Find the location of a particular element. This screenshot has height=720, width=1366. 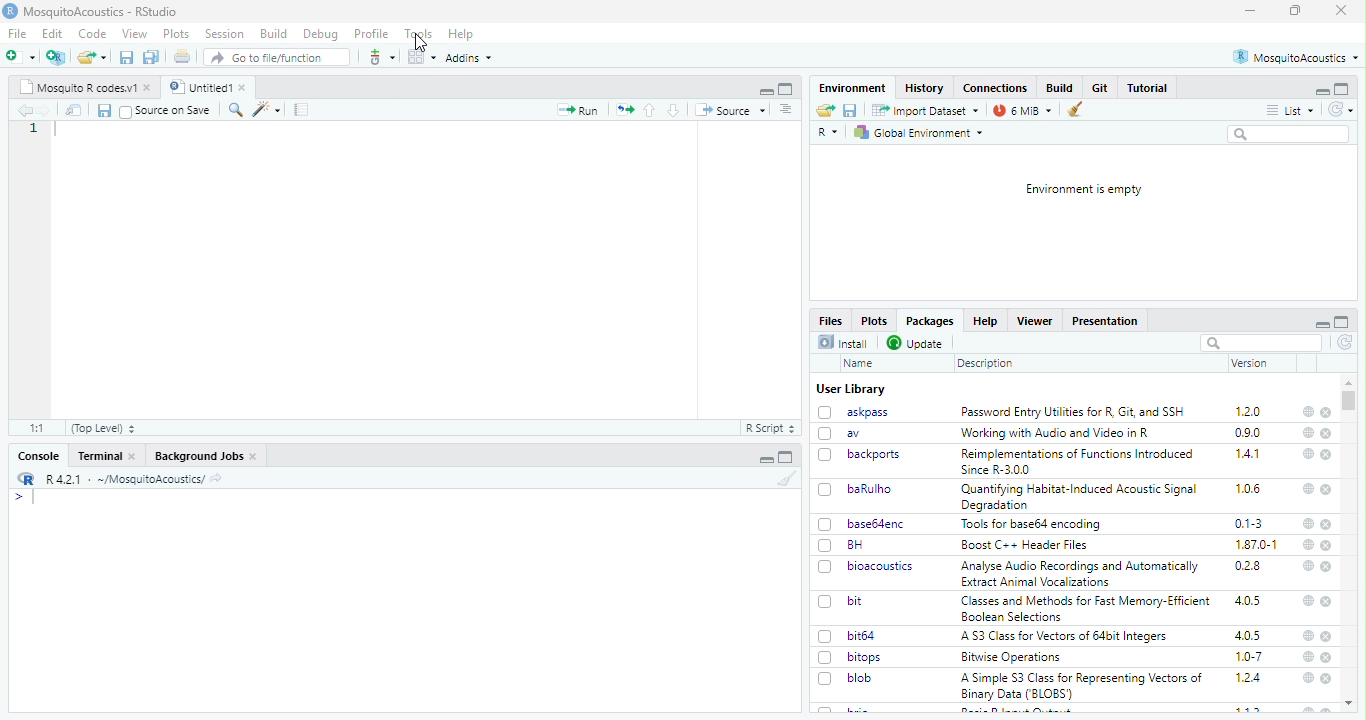

141 is located at coordinates (1249, 454).